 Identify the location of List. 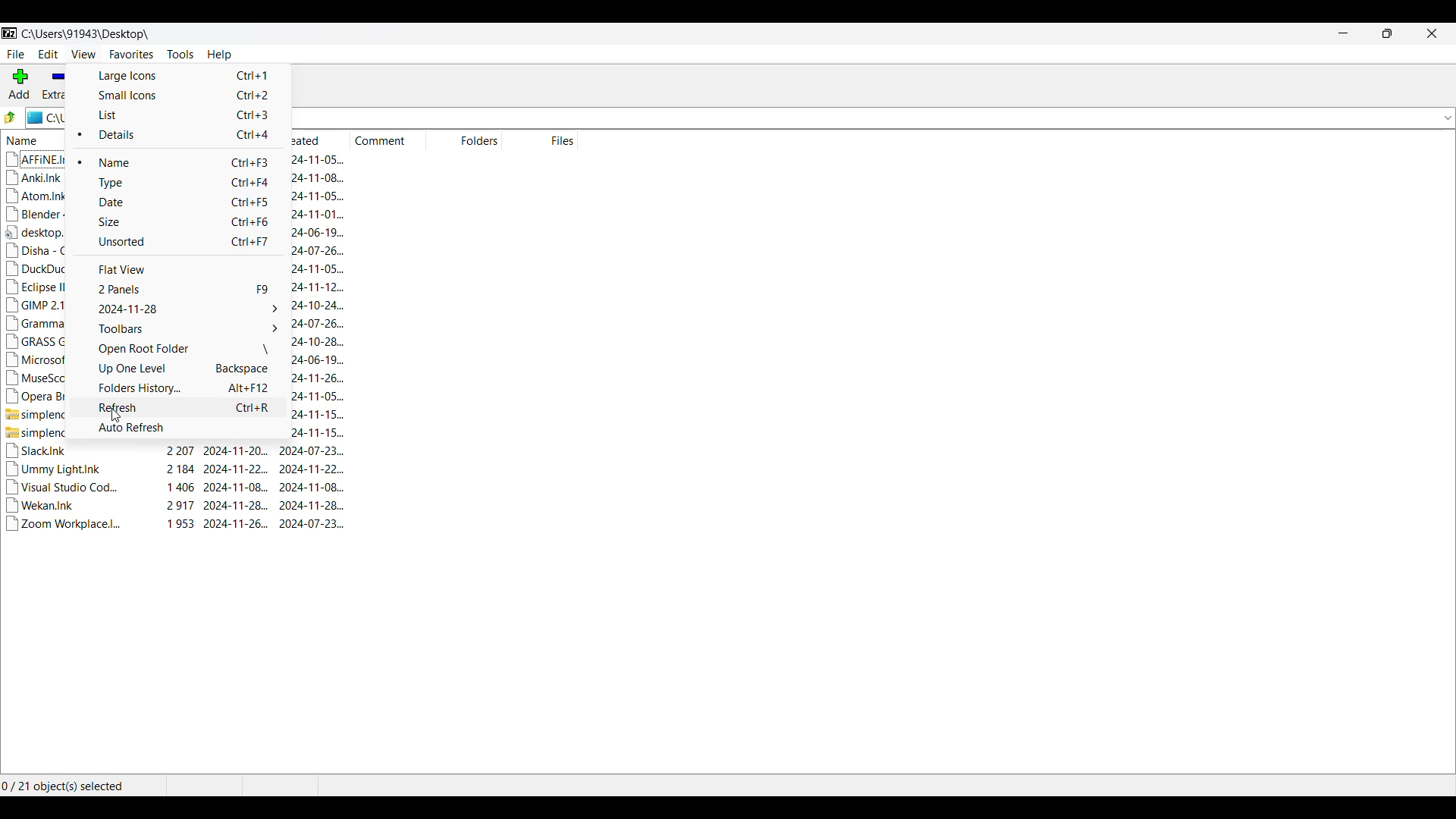
(180, 115).